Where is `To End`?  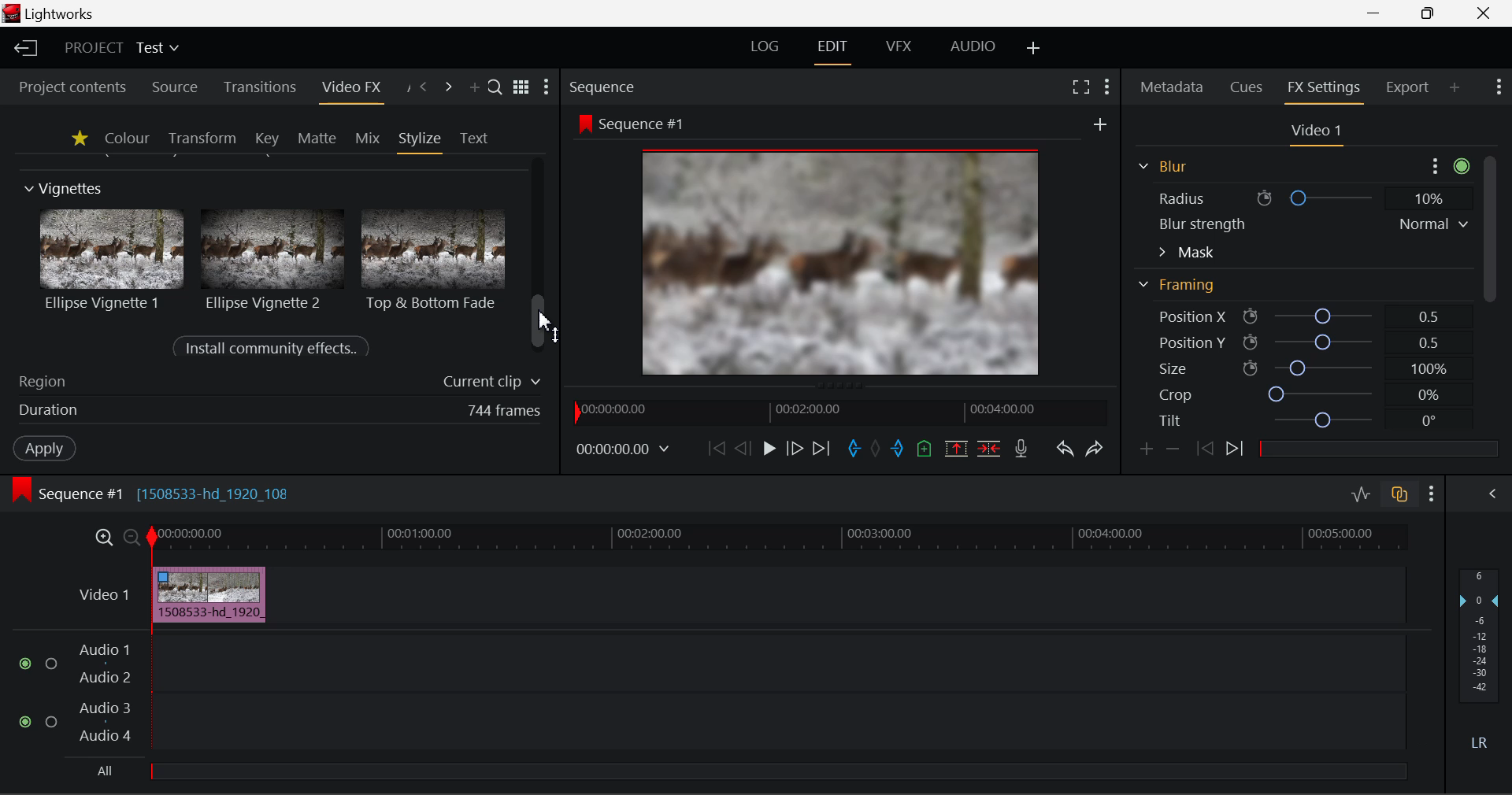 To End is located at coordinates (823, 446).